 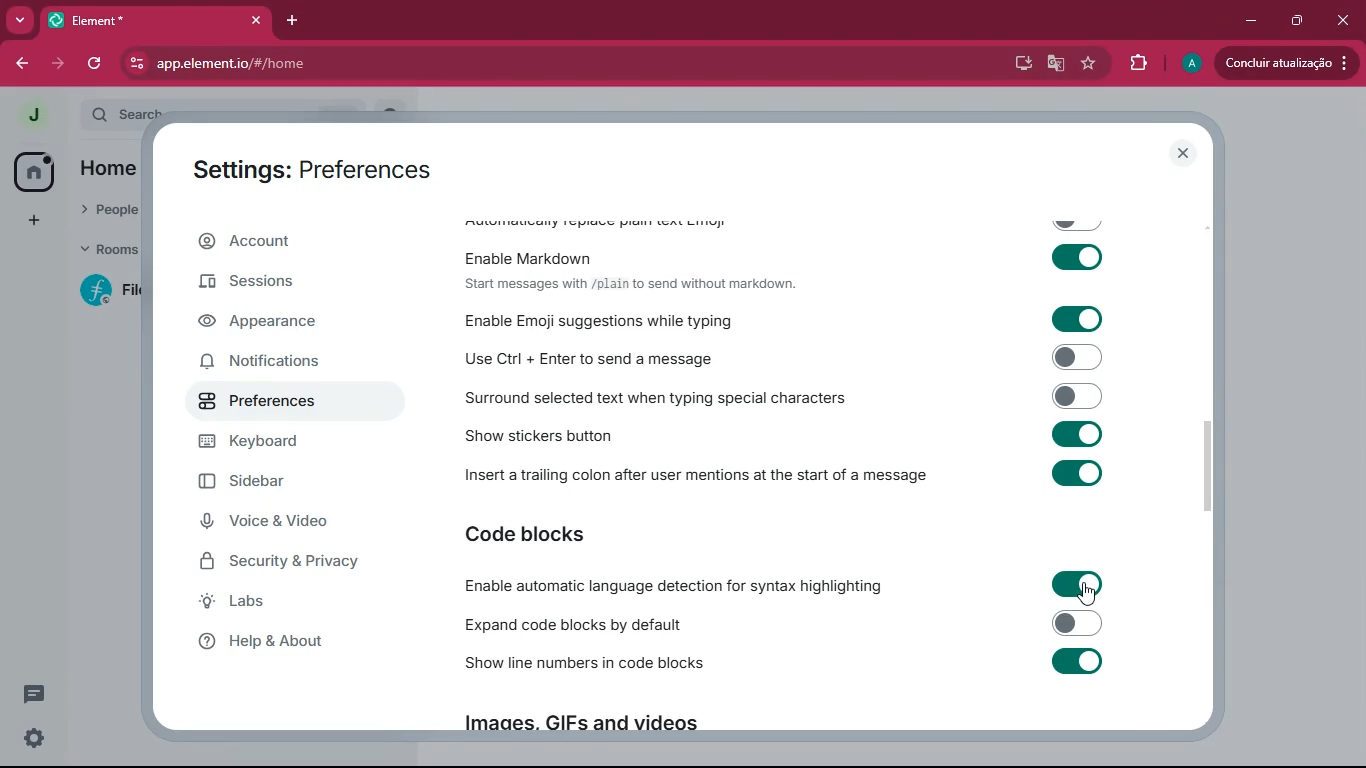 I want to click on back, so click(x=22, y=65).